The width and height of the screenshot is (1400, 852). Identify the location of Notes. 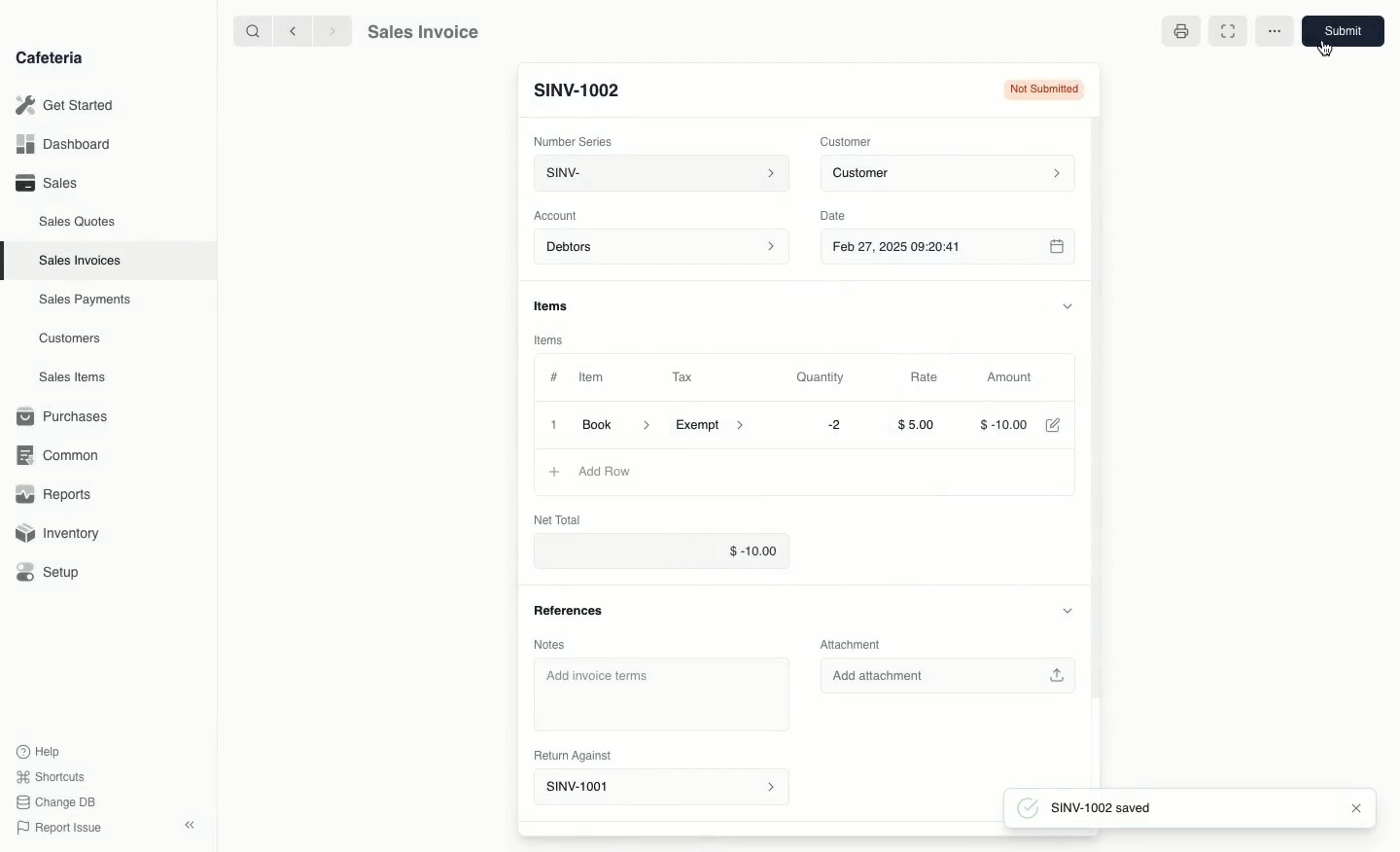
(549, 645).